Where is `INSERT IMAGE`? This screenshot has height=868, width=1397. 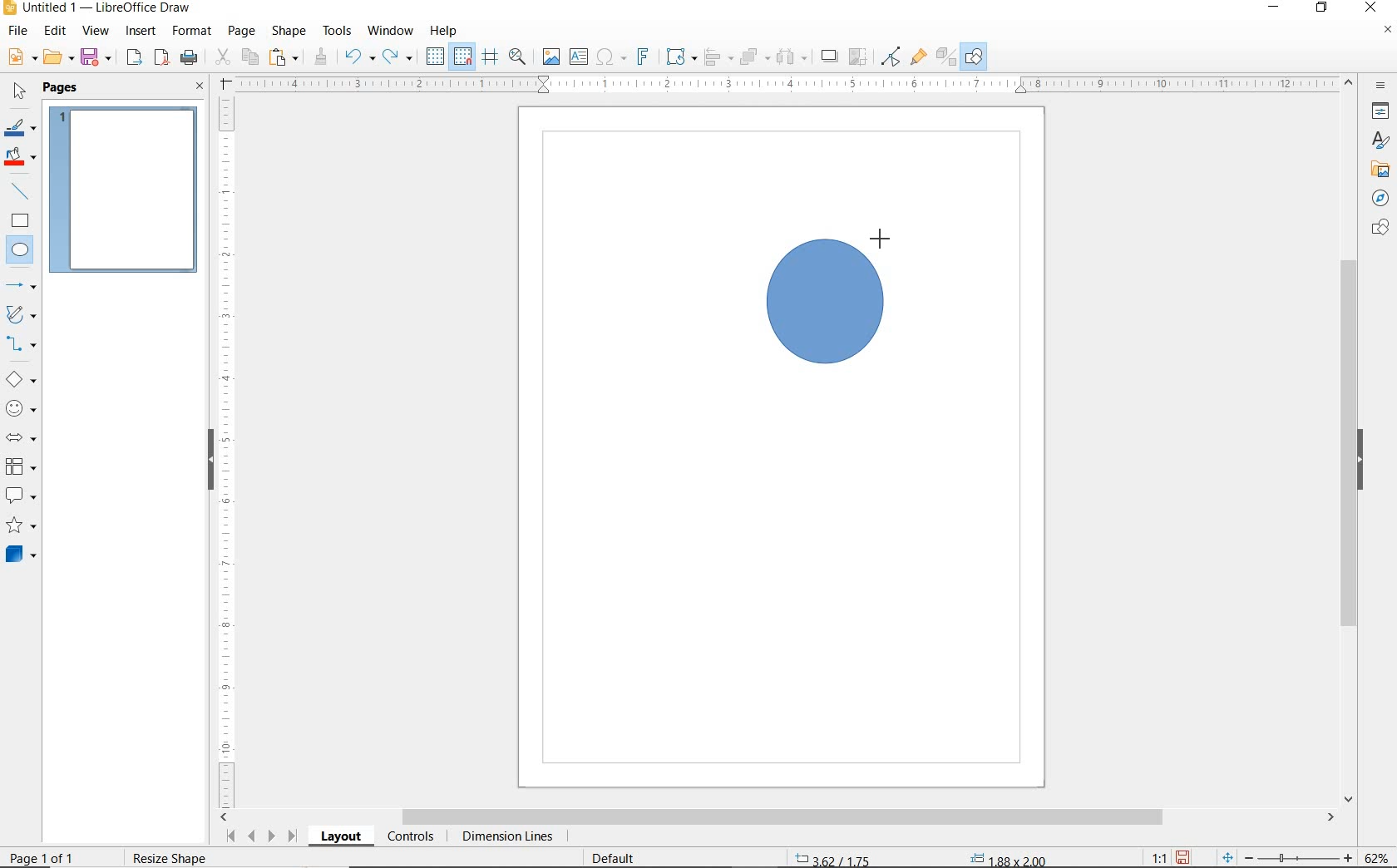 INSERT IMAGE is located at coordinates (551, 57).